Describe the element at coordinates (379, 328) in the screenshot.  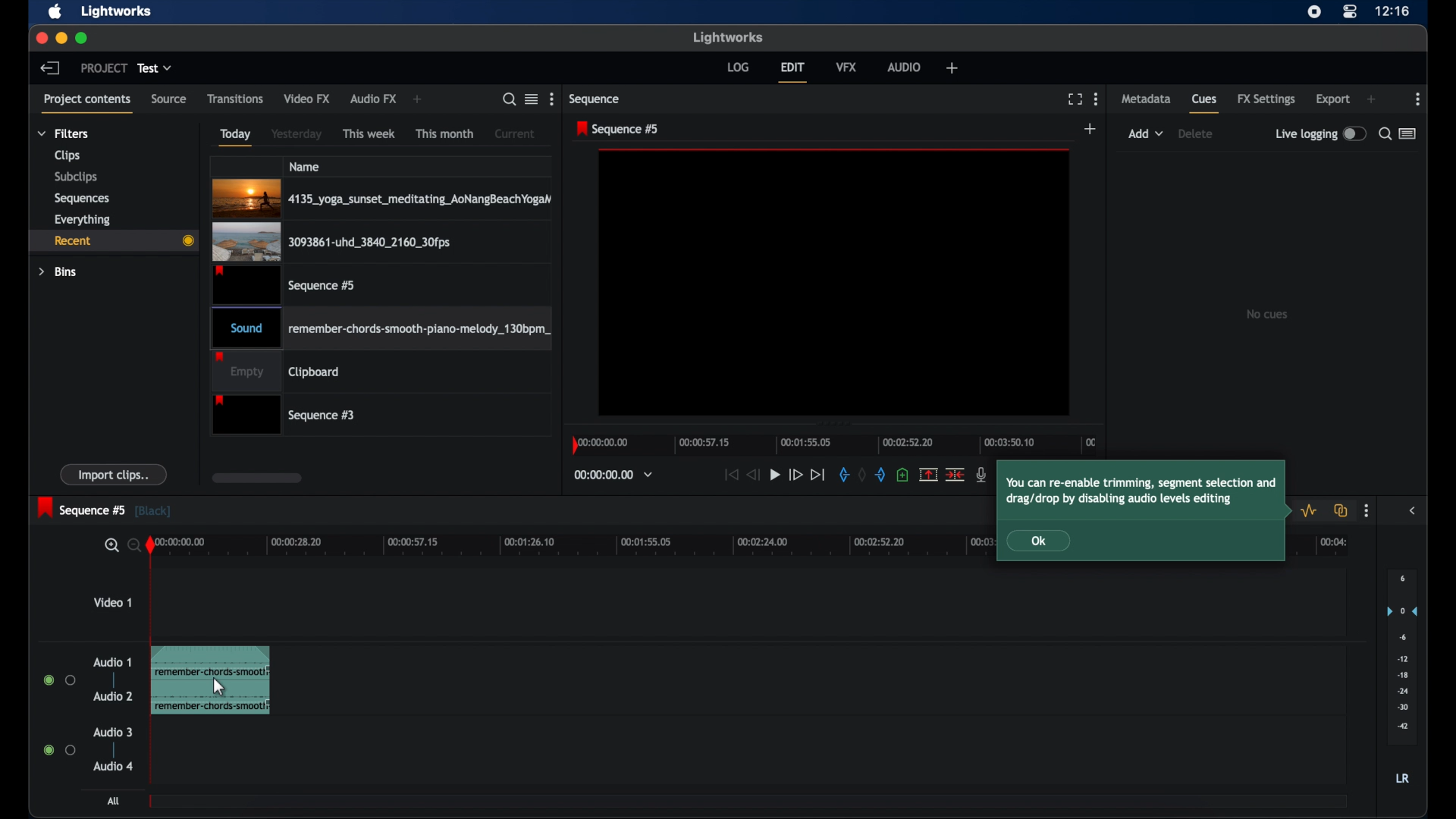
I see `Sound remember-chords-smooth-piano-melody_130bpm_` at that location.